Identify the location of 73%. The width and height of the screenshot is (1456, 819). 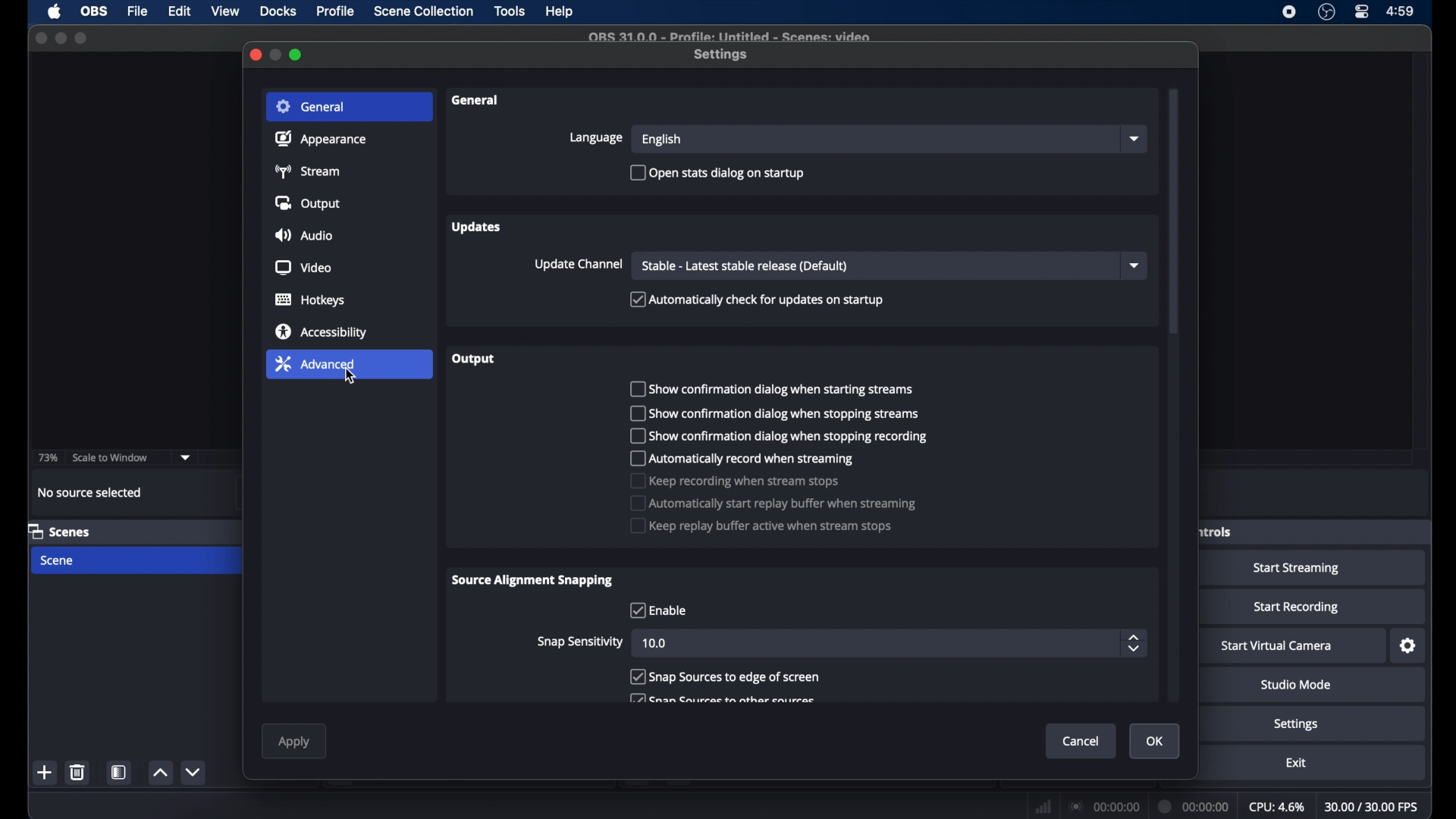
(47, 457).